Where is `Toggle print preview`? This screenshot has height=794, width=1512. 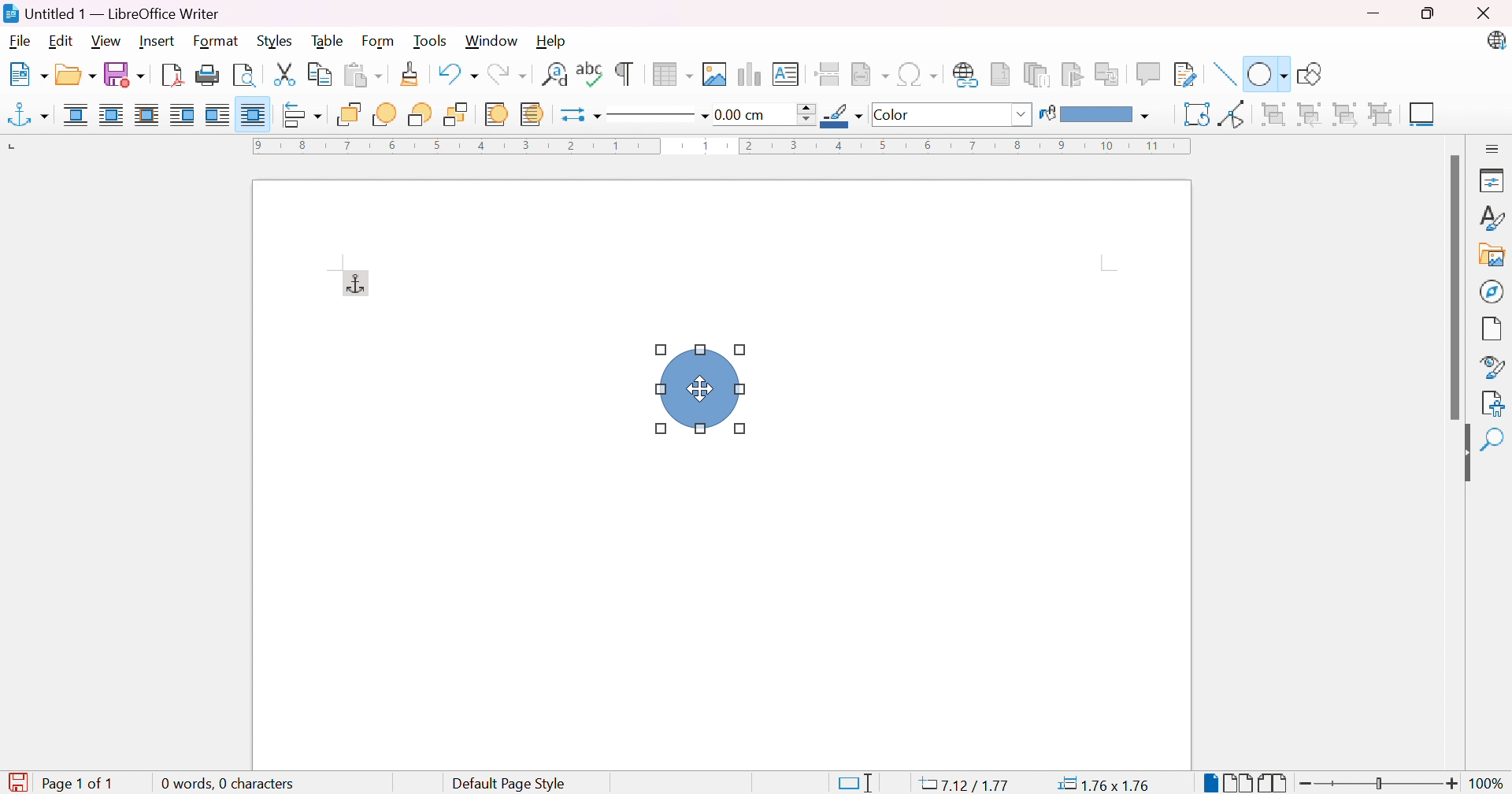
Toggle print preview is located at coordinates (246, 76).